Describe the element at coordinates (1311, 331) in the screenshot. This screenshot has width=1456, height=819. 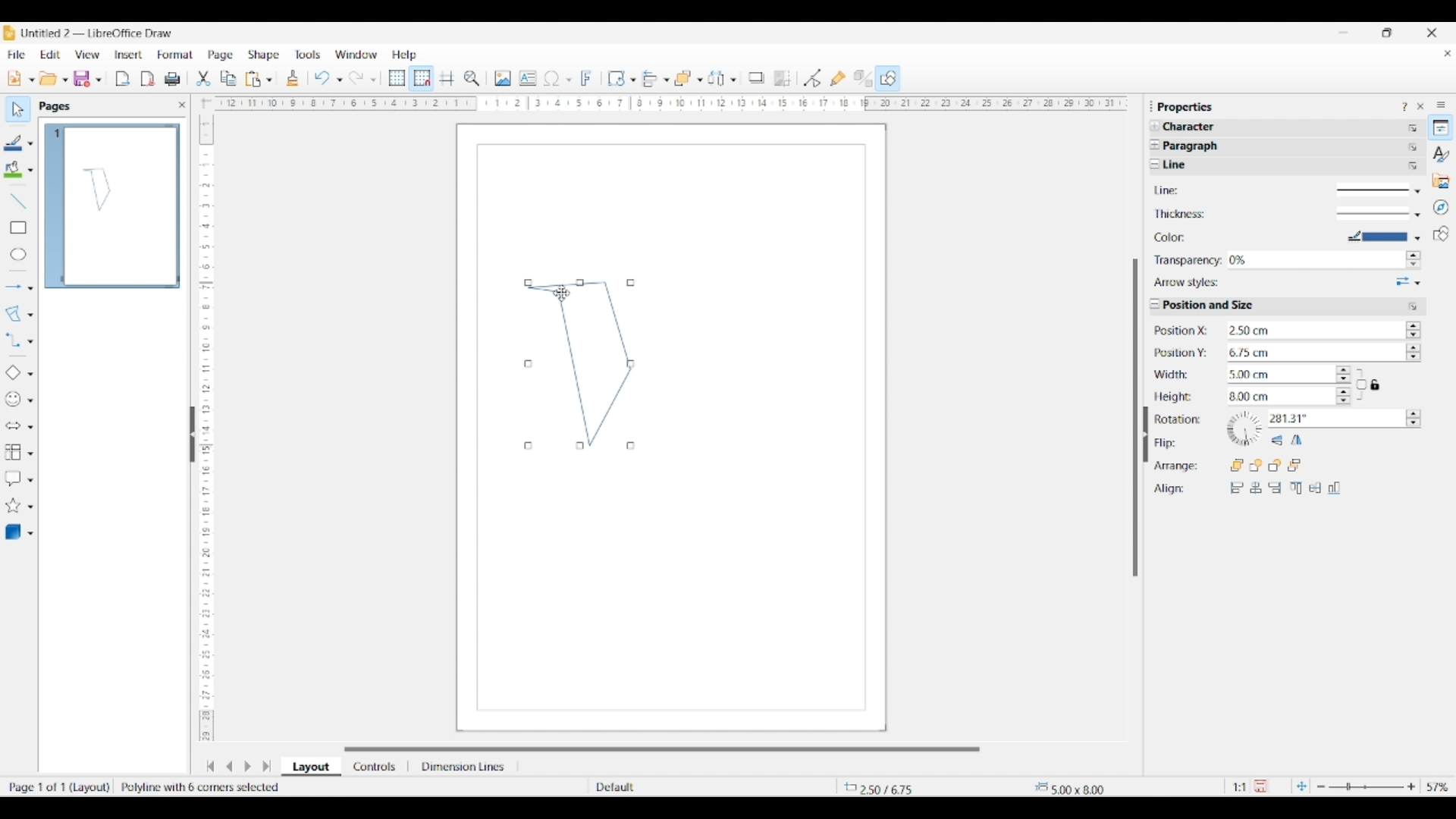
I see `Type position X` at that location.